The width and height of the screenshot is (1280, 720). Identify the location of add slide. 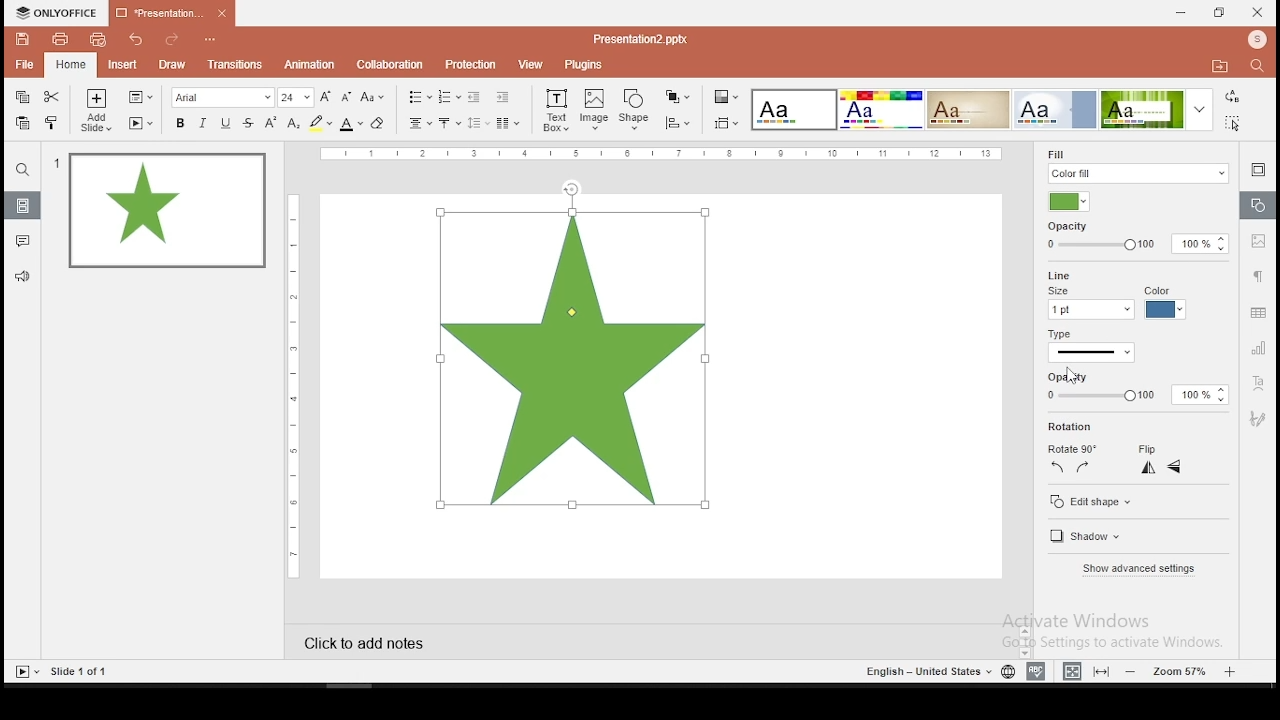
(96, 110).